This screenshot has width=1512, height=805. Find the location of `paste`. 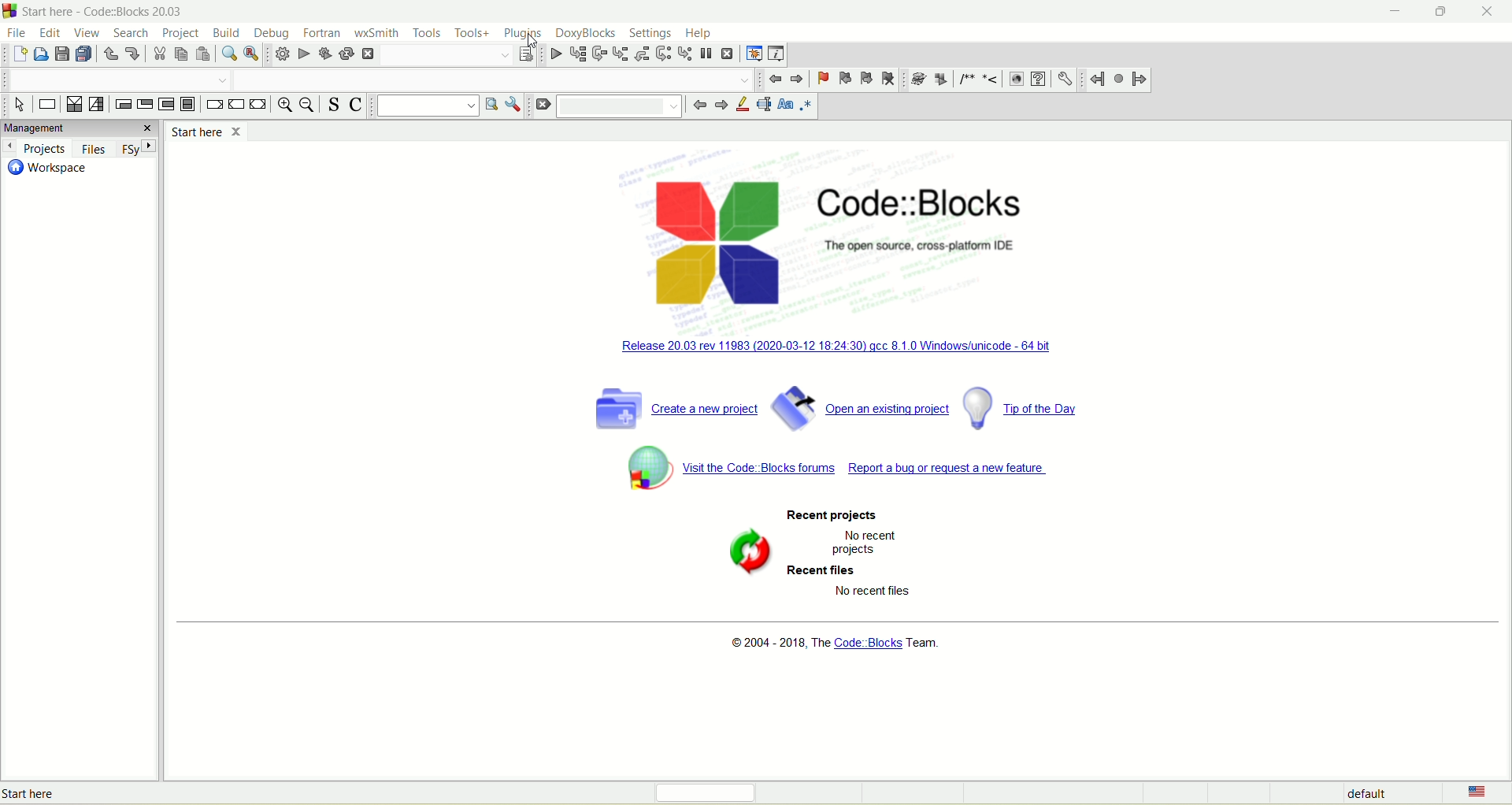

paste is located at coordinates (204, 55).